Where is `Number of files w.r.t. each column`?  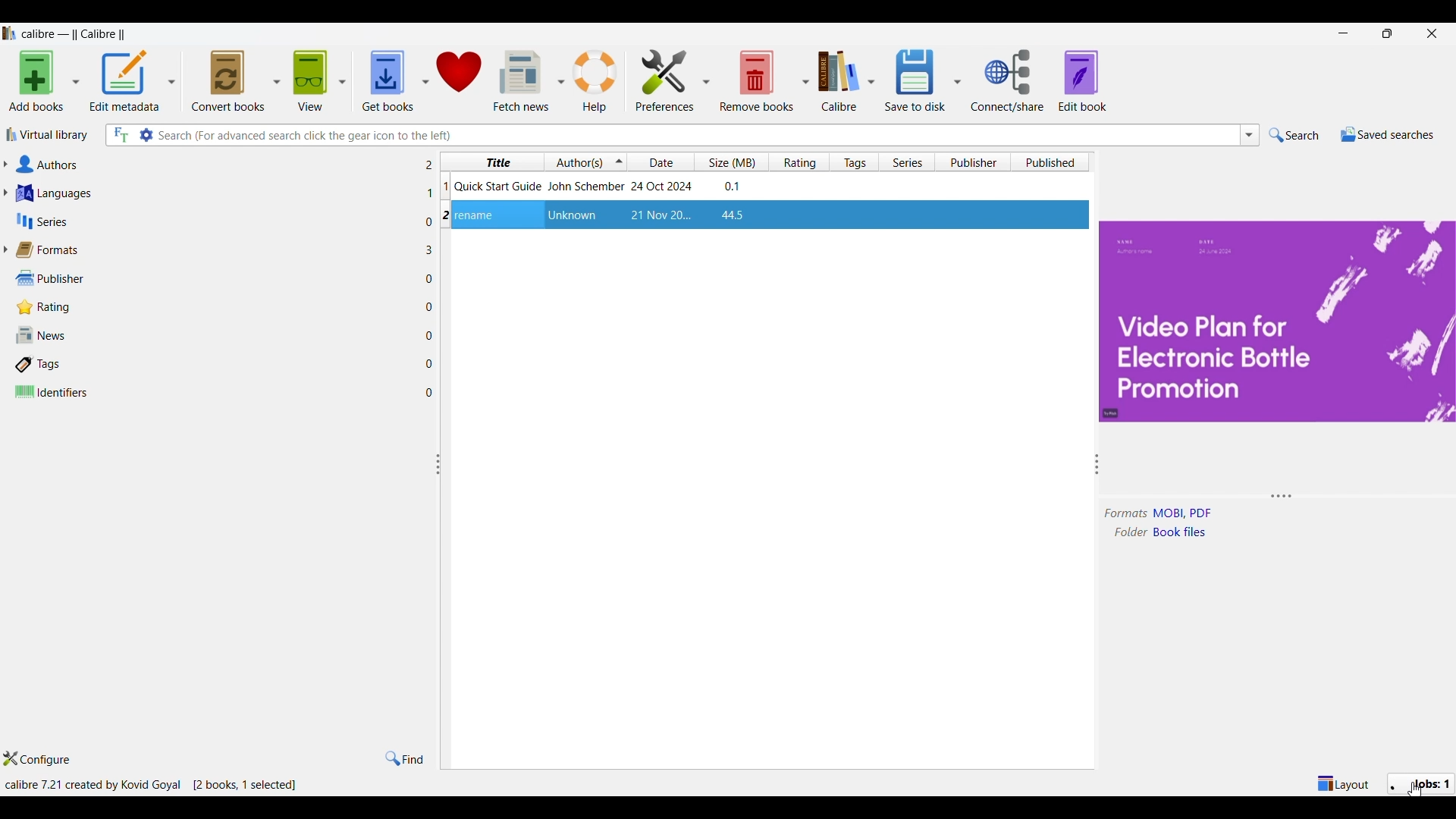
Number of files w.r.t. each column is located at coordinates (429, 282).